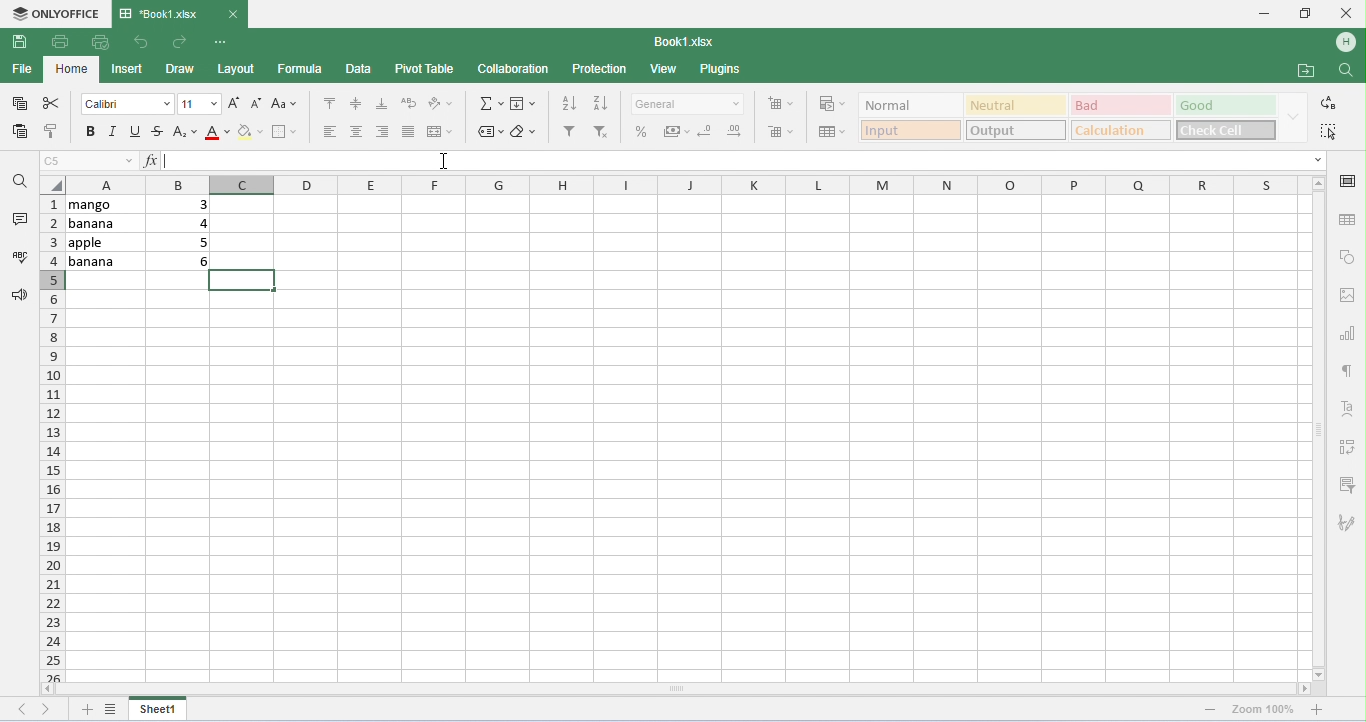  Describe the element at coordinates (663, 70) in the screenshot. I see `view` at that location.